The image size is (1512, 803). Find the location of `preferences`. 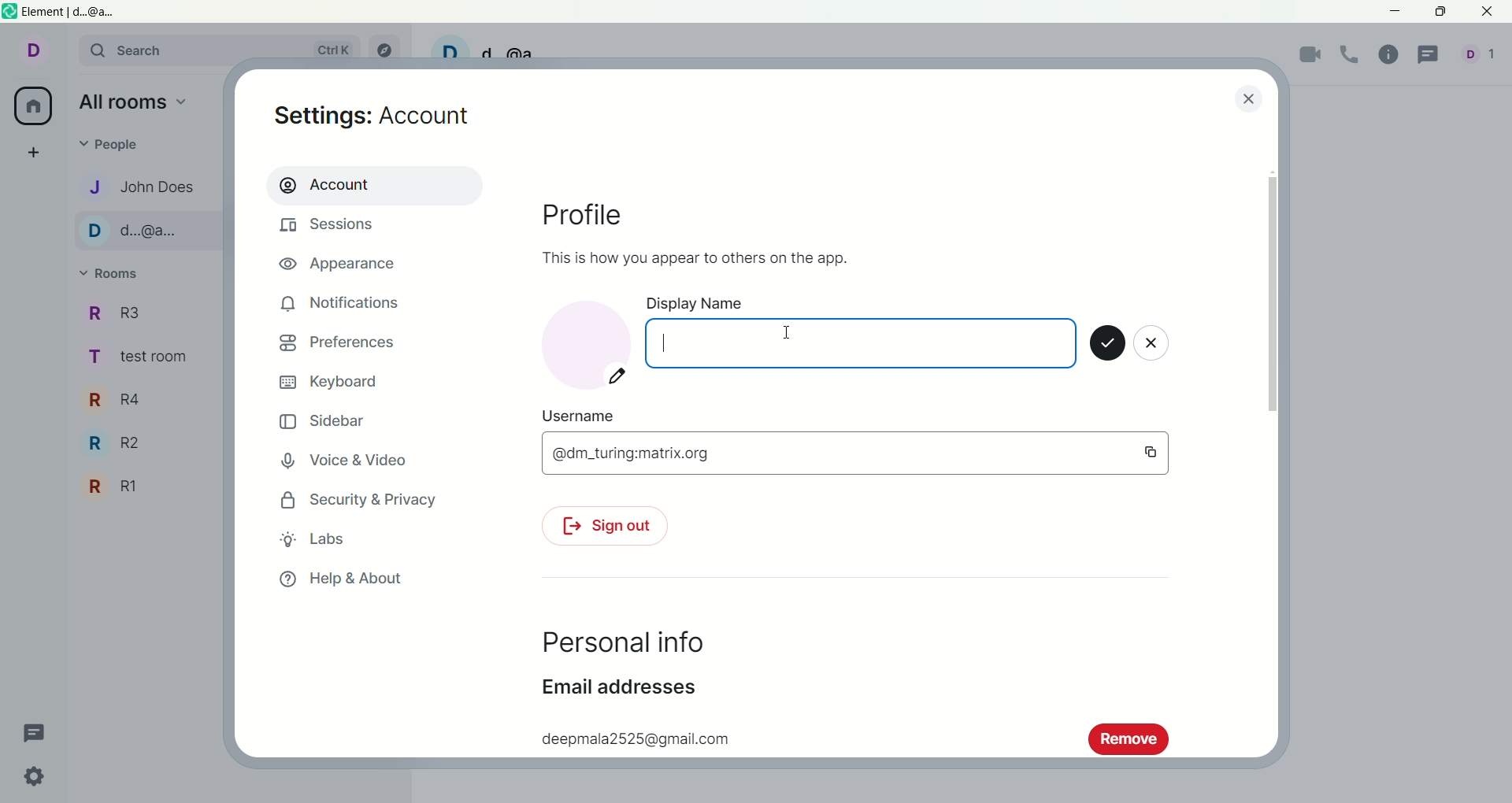

preferences is located at coordinates (337, 346).